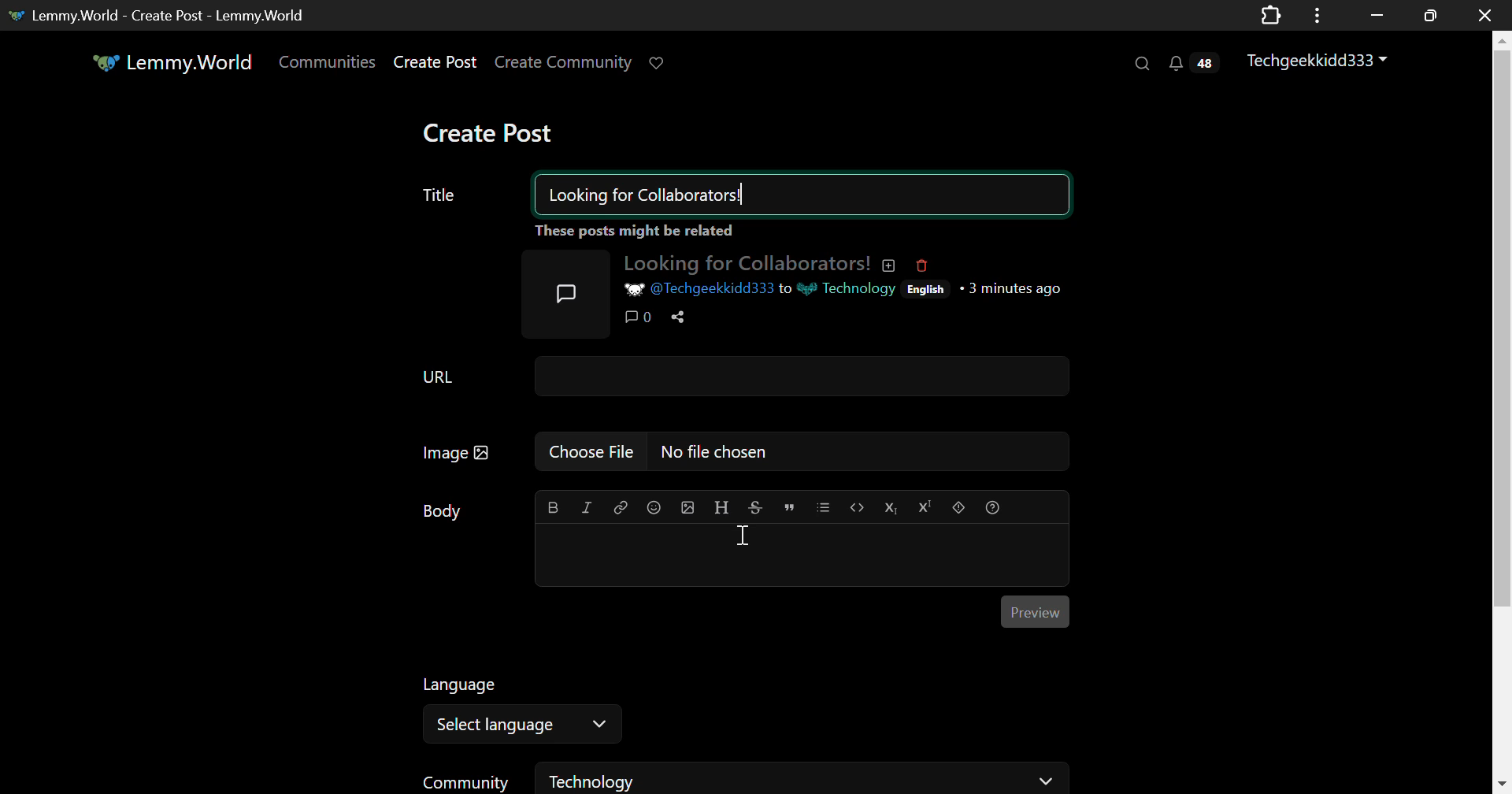 This screenshot has height=794, width=1512. Describe the element at coordinates (742, 375) in the screenshot. I see `URL Field` at that location.